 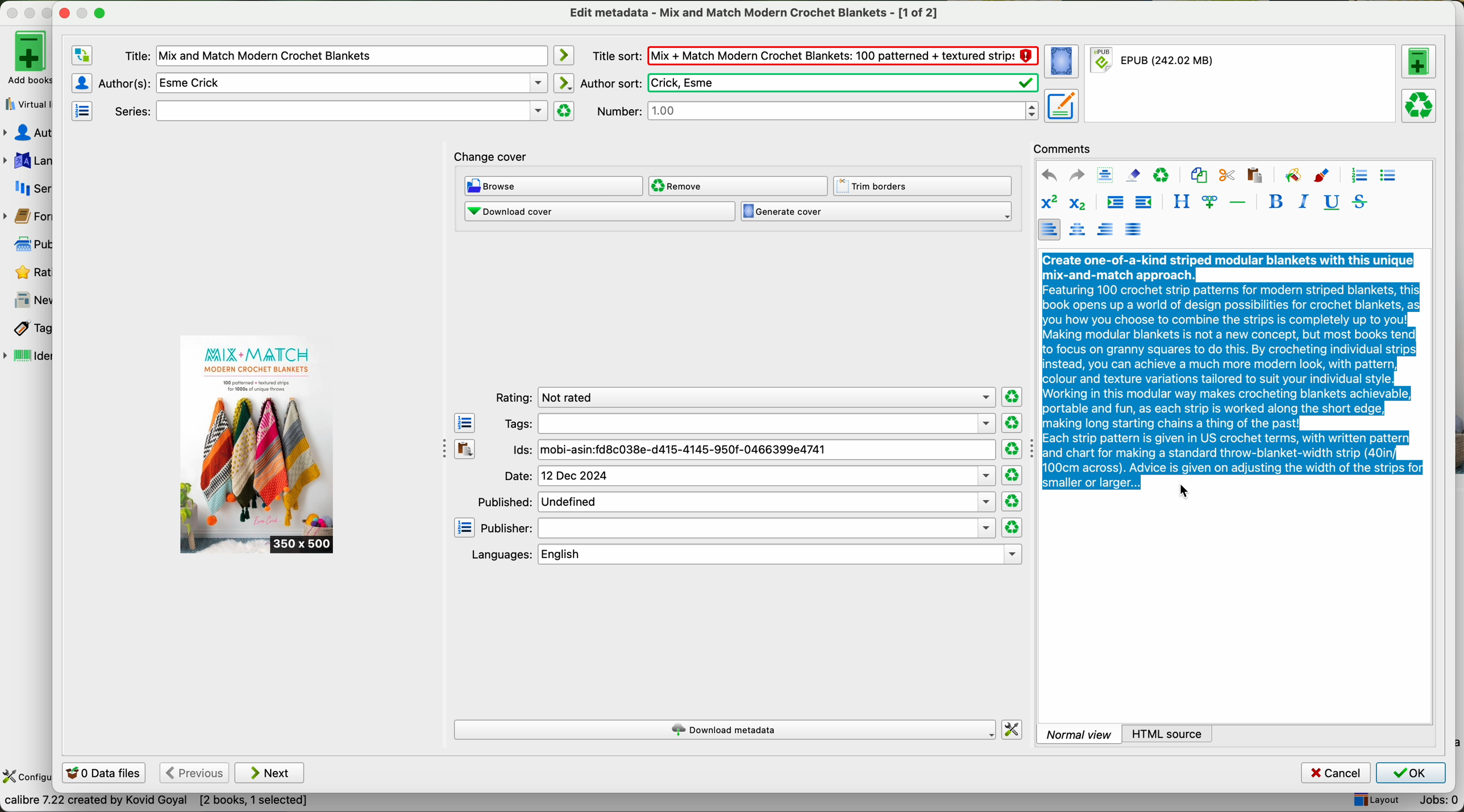 I want to click on three dots, so click(x=439, y=447).